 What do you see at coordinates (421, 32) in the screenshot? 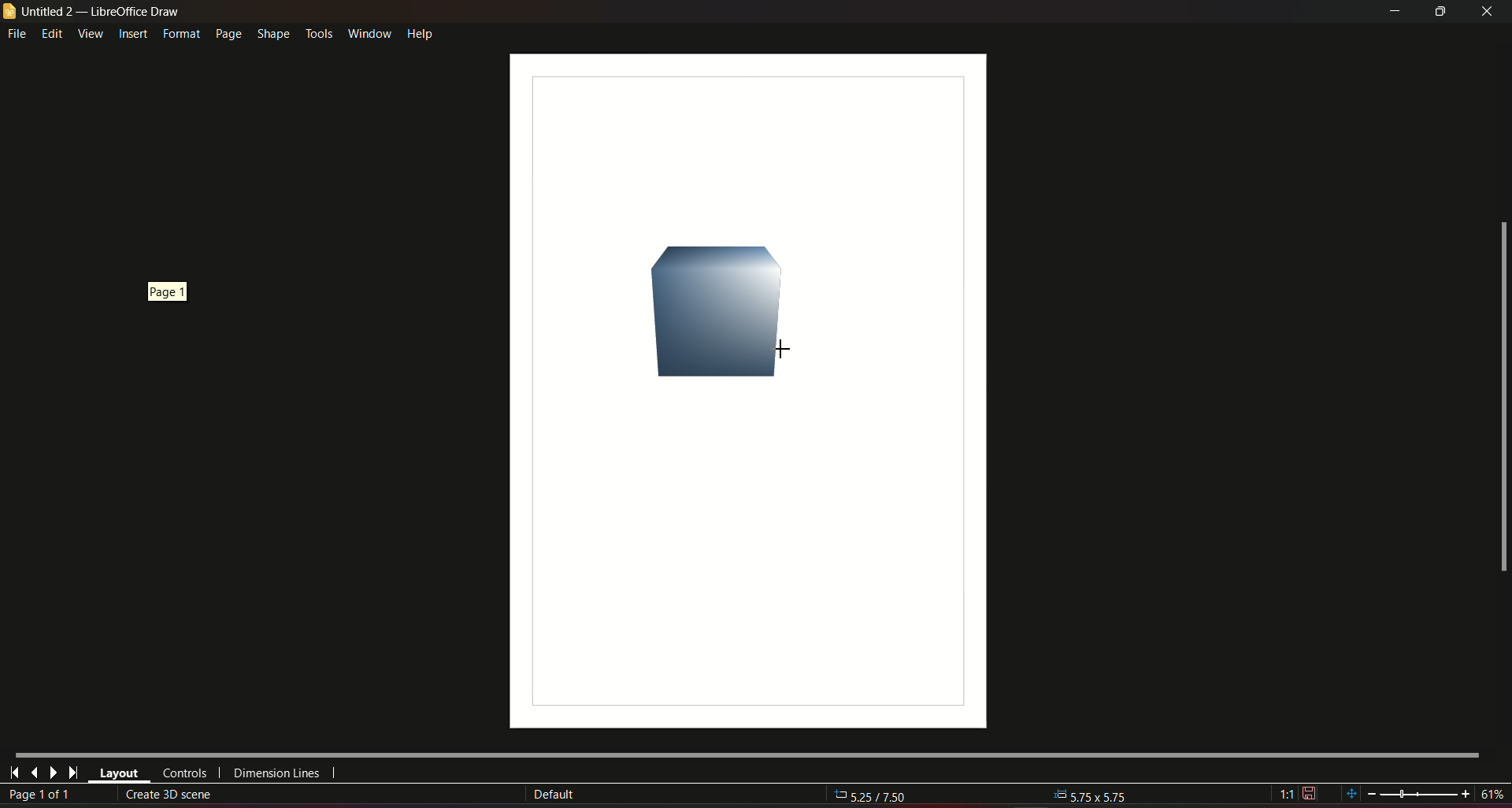
I see `help` at bounding box center [421, 32].